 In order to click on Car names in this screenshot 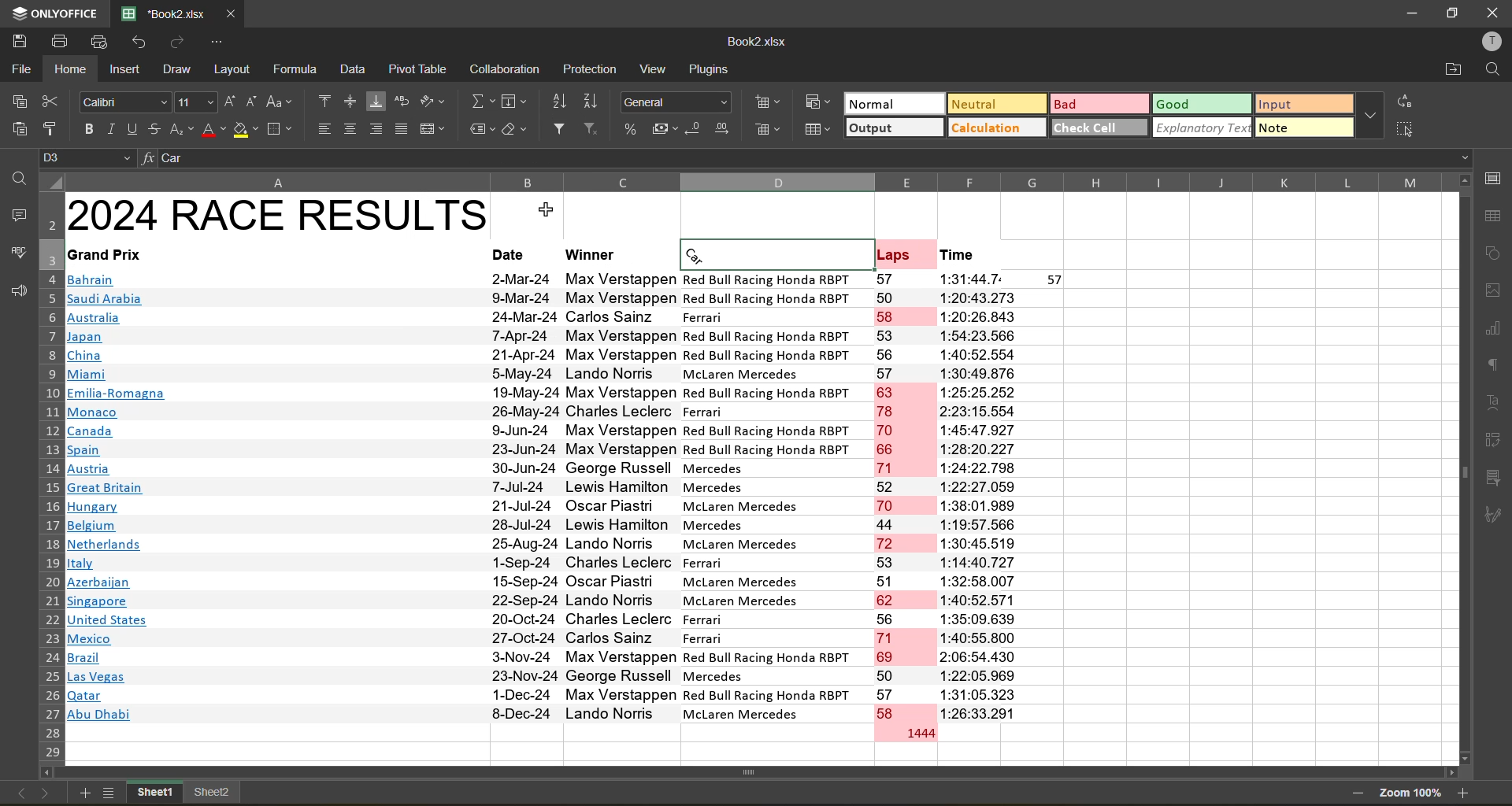, I will do `click(773, 498)`.